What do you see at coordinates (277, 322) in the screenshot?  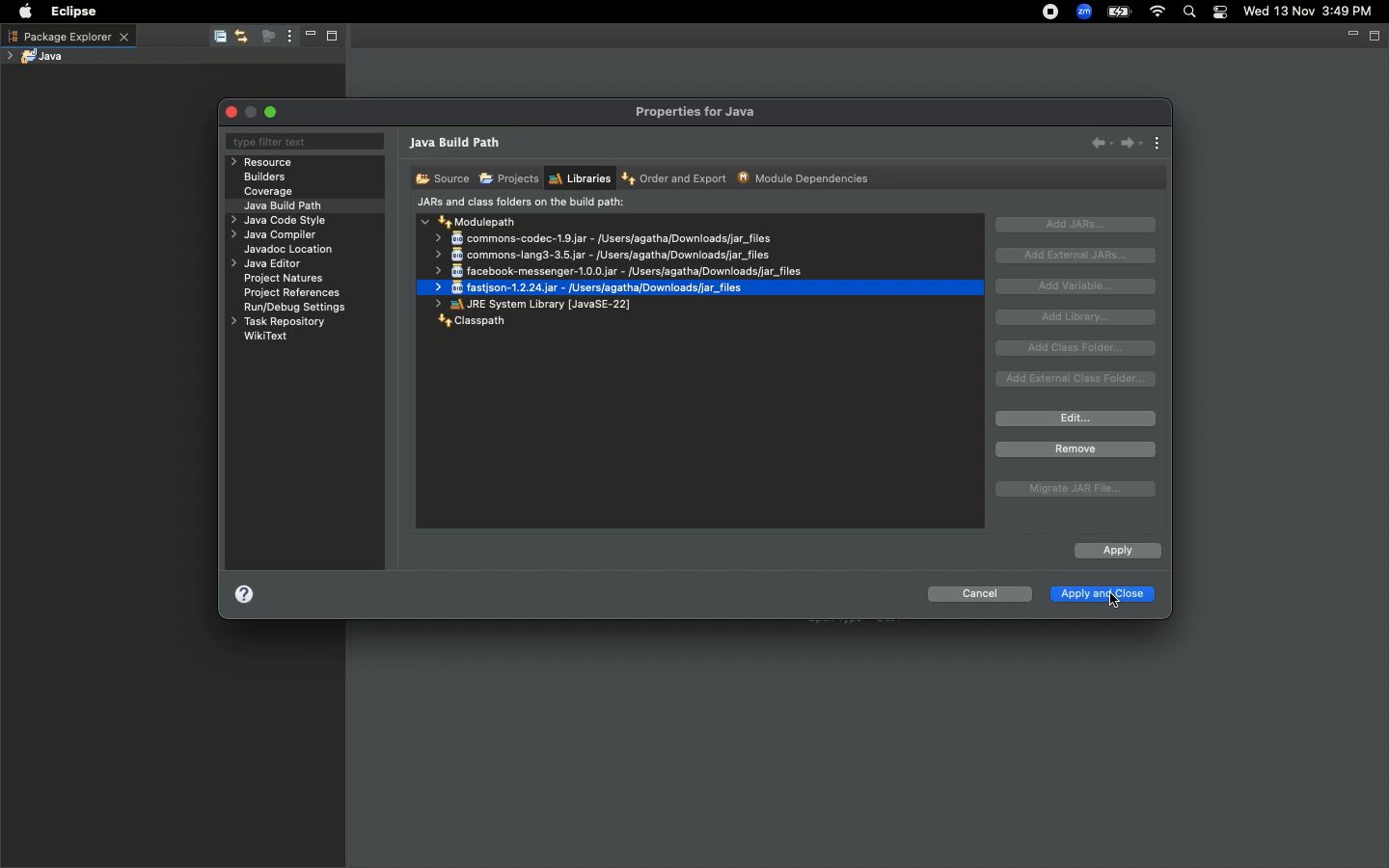 I see `Task repository` at bounding box center [277, 322].